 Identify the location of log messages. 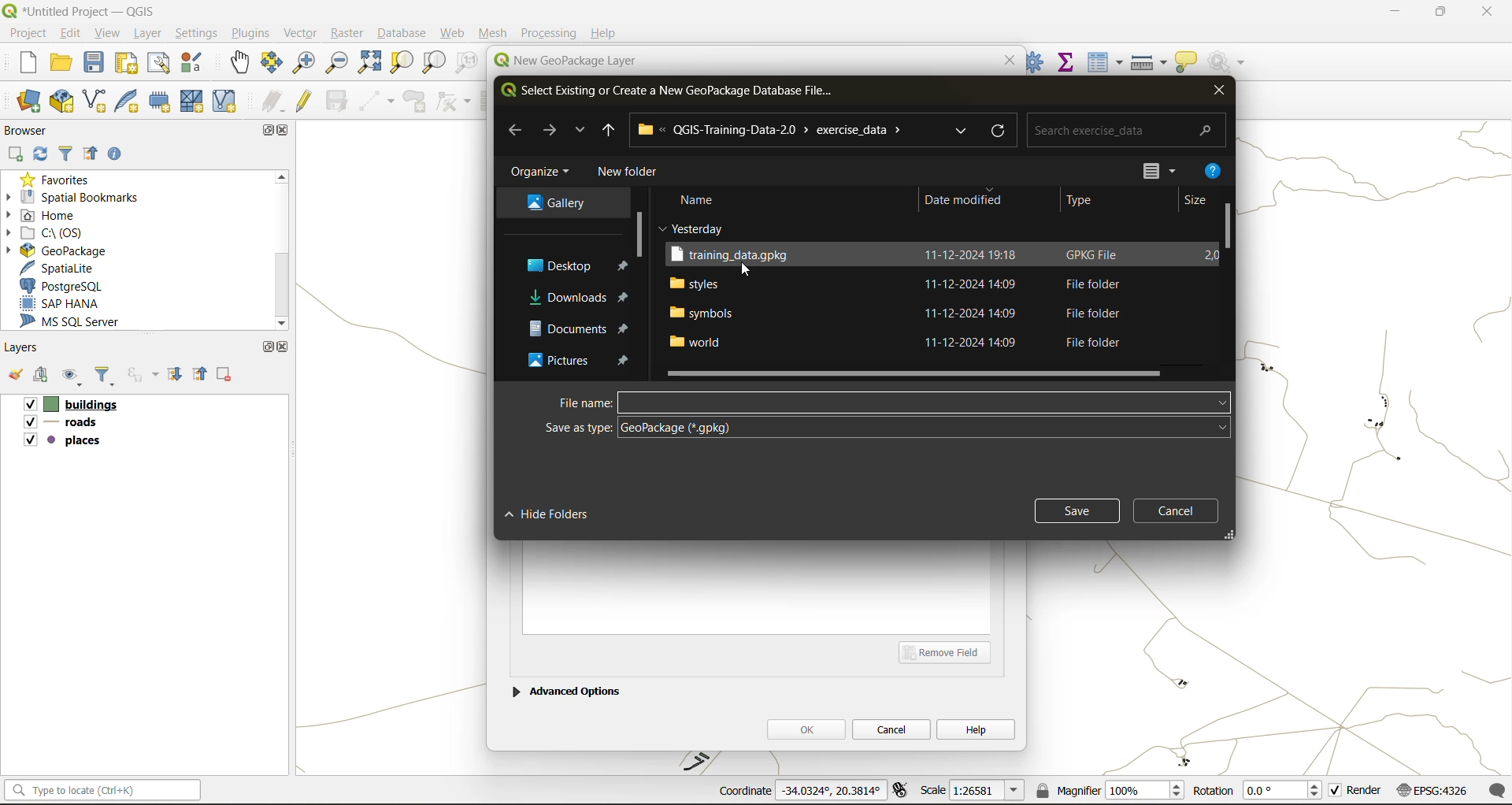
(1499, 790).